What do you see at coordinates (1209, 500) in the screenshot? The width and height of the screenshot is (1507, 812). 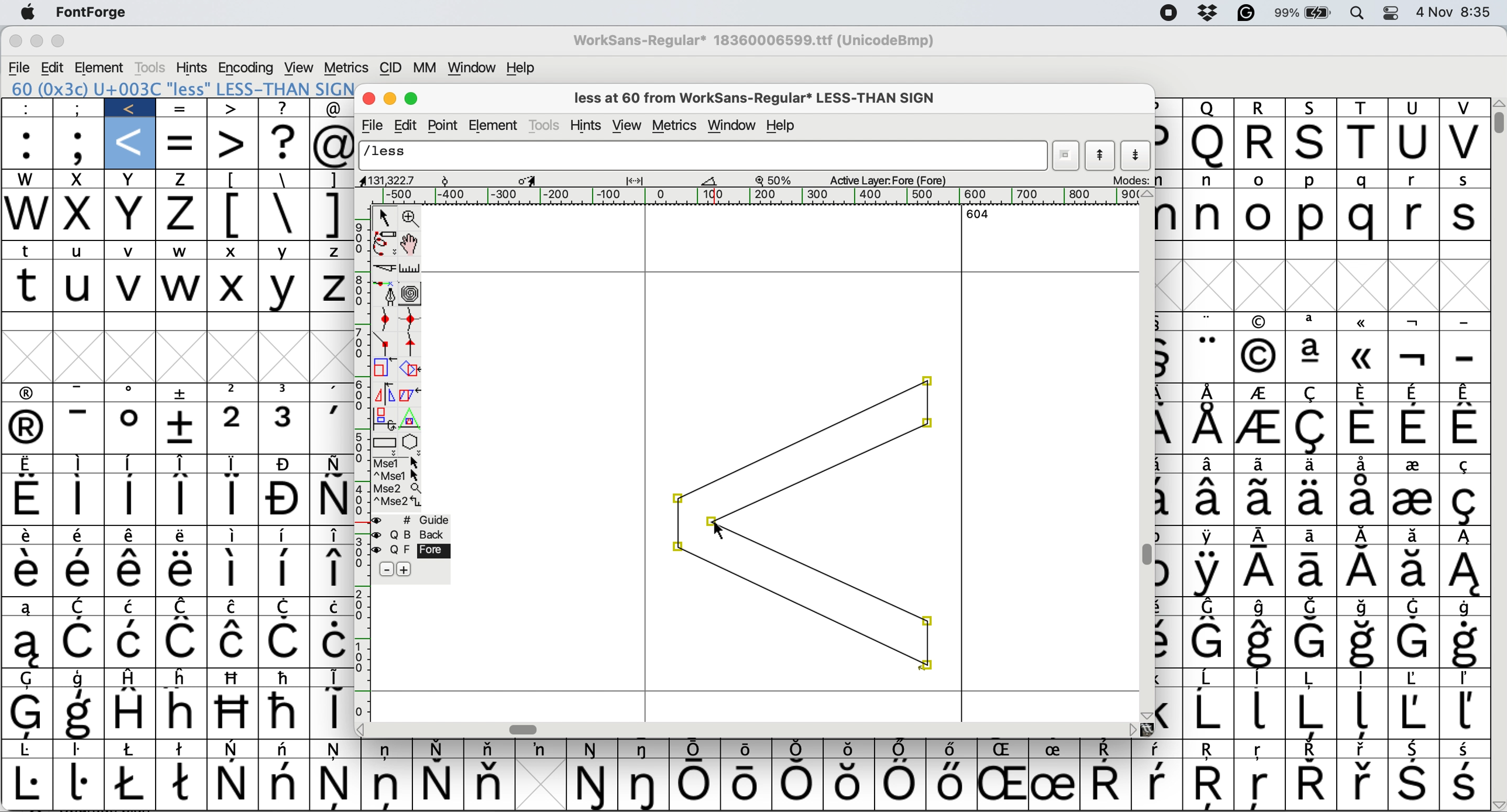 I see `Symbol` at bounding box center [1209, 500].